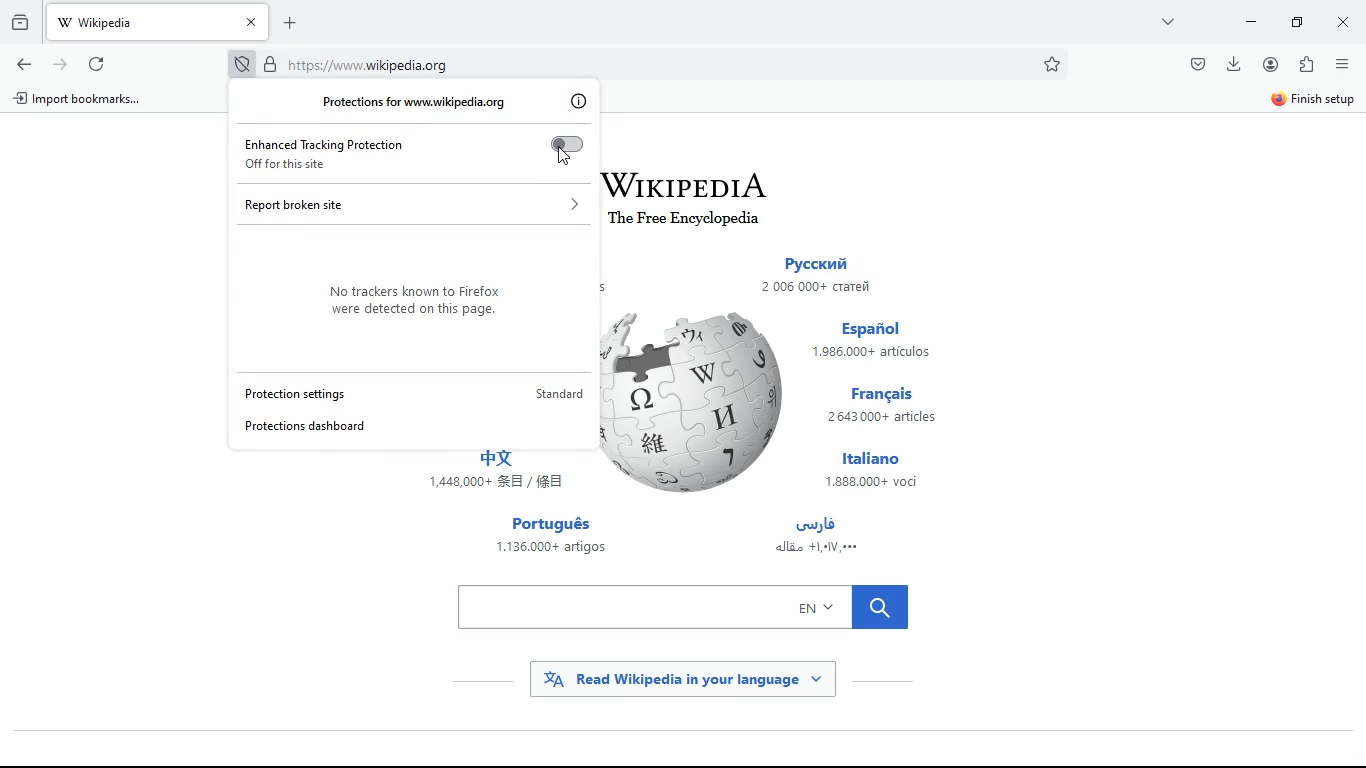  I want to click on forward, so click(63, 63).